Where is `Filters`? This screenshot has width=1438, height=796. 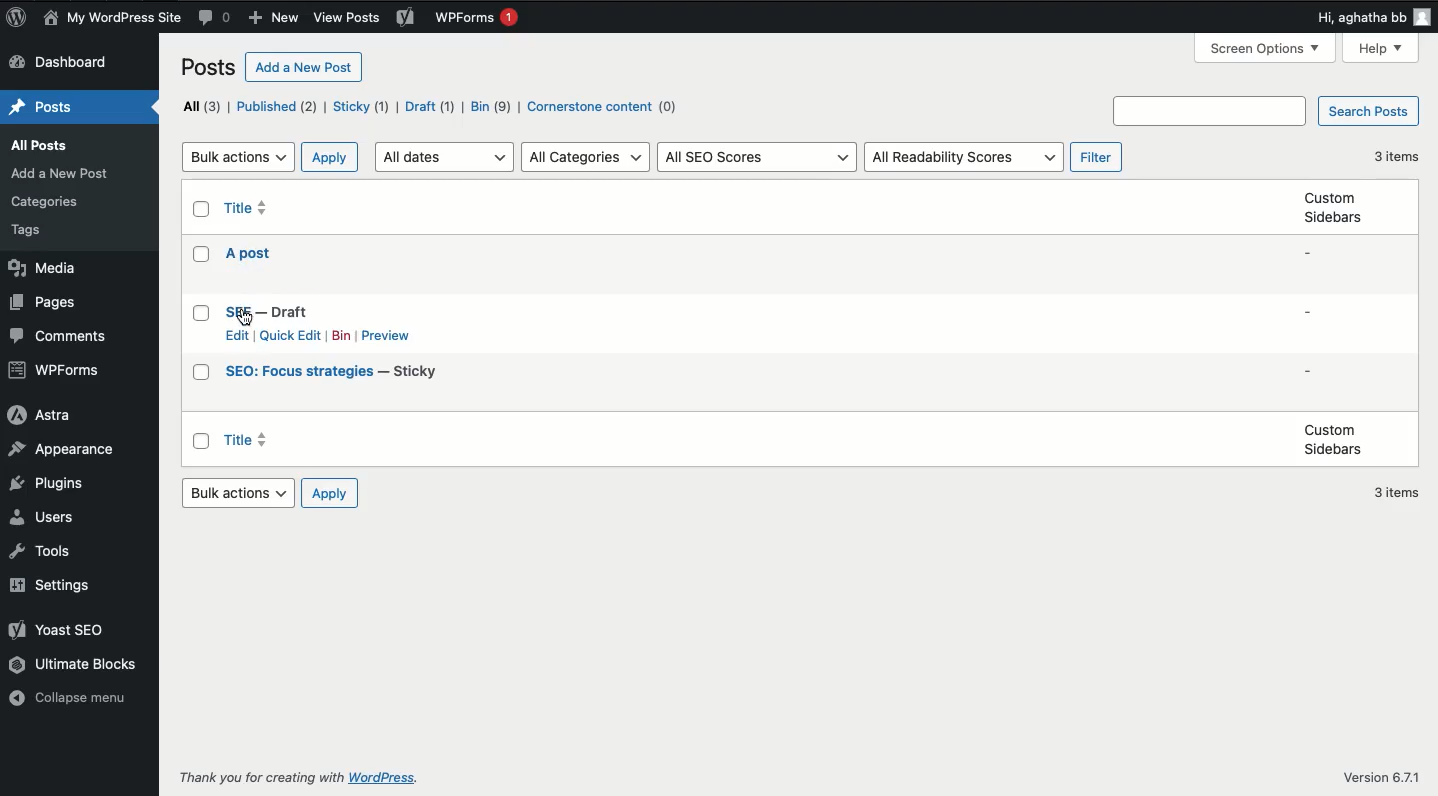 Filters is located at coordinates (1097, 156).